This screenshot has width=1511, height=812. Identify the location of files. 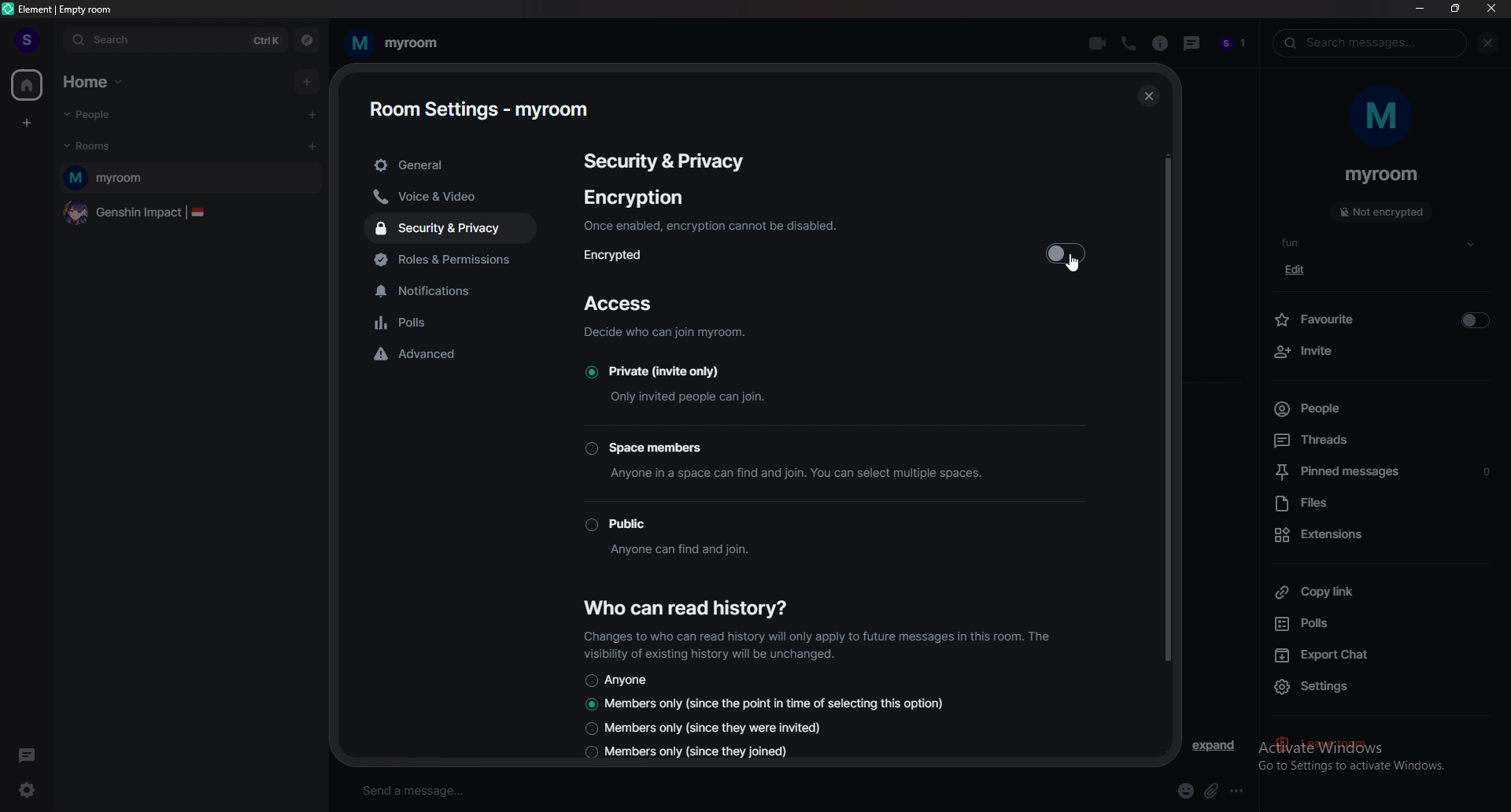
(1386, 504).